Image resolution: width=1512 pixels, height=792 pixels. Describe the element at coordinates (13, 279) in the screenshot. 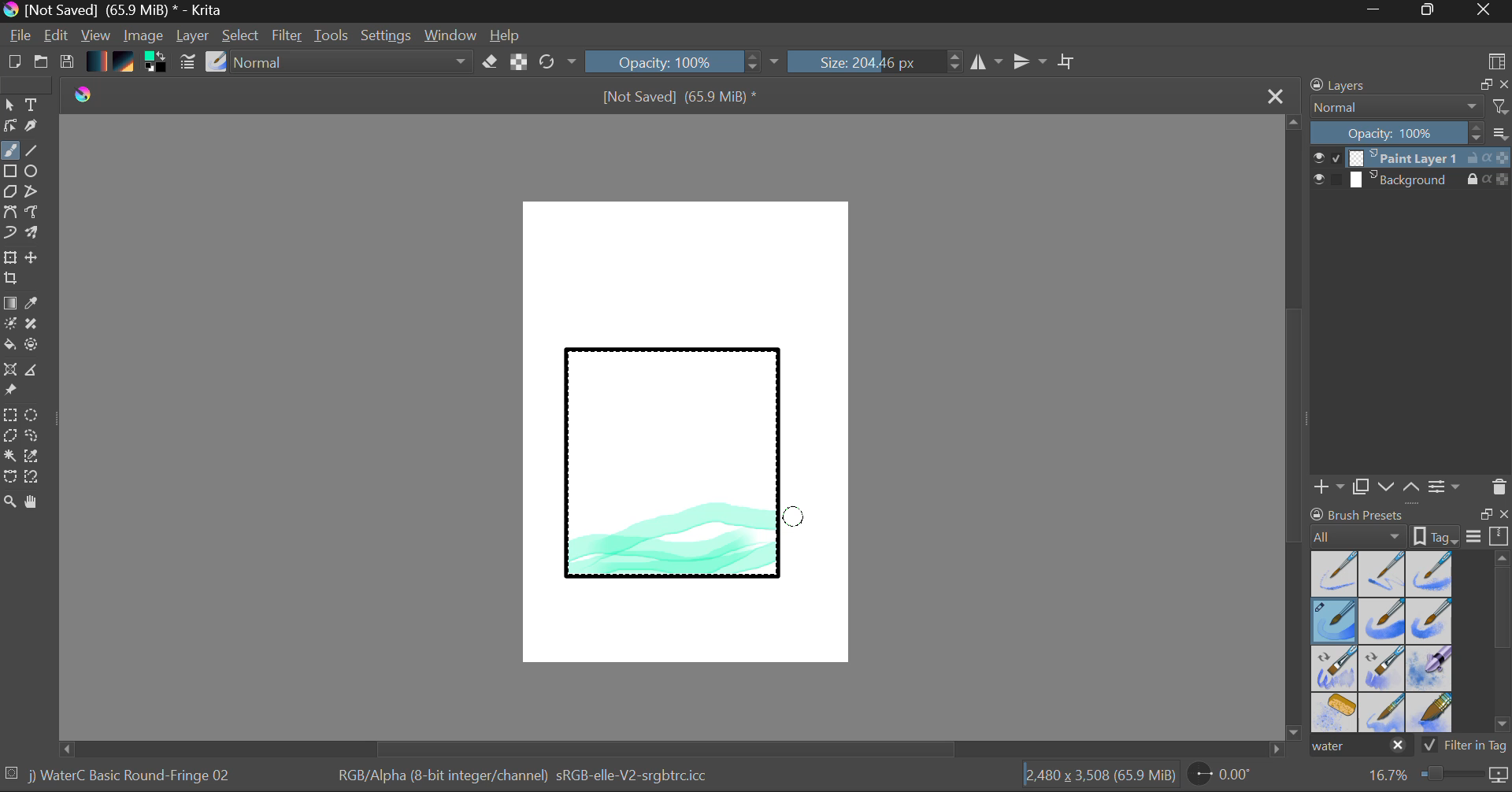

I see `Crop` at that location.